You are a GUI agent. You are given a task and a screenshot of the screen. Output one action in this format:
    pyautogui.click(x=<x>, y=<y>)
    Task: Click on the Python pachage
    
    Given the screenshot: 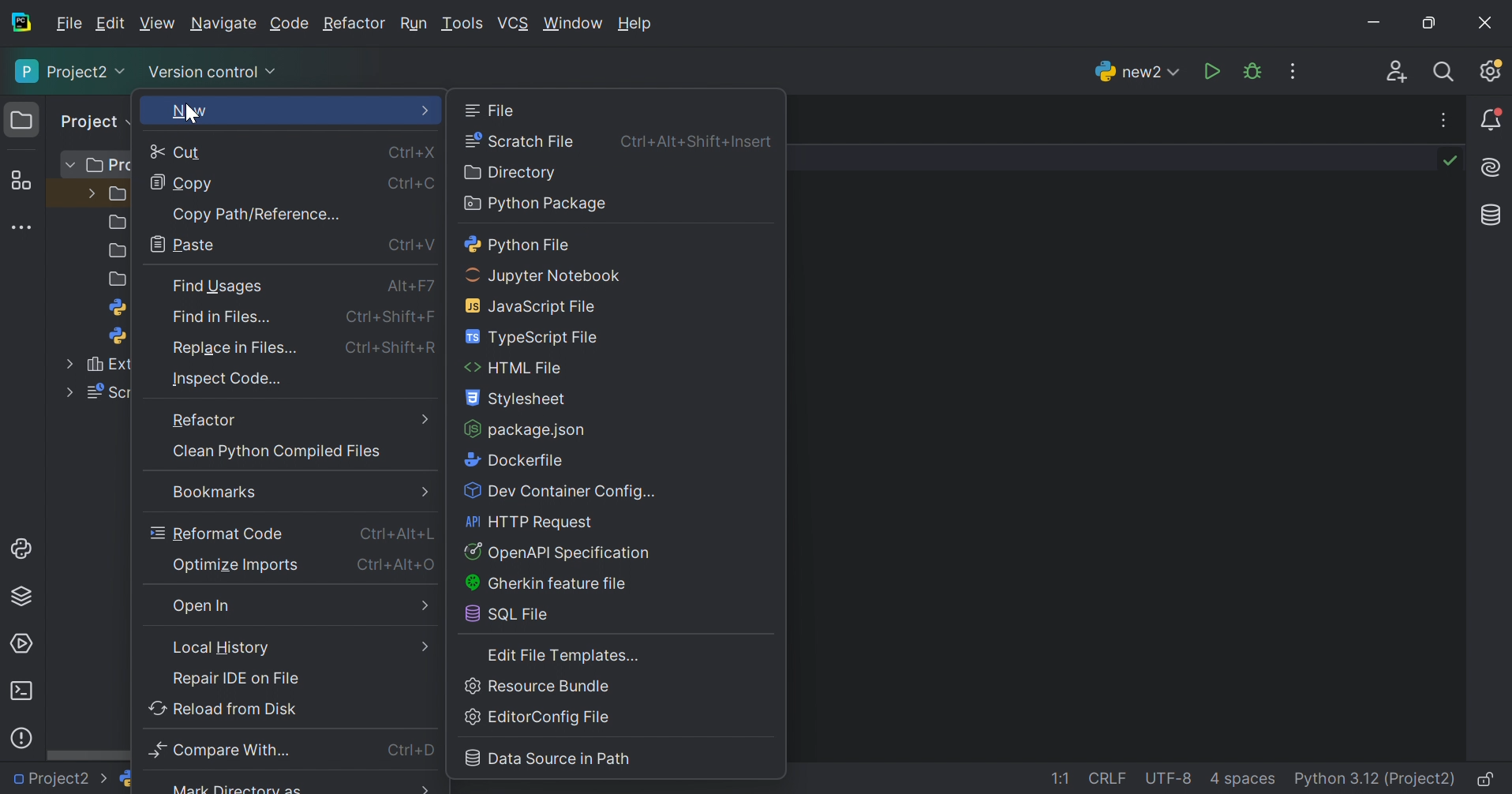 What is the action you would take?
    pyautogui.click(x=535, y=204)
    